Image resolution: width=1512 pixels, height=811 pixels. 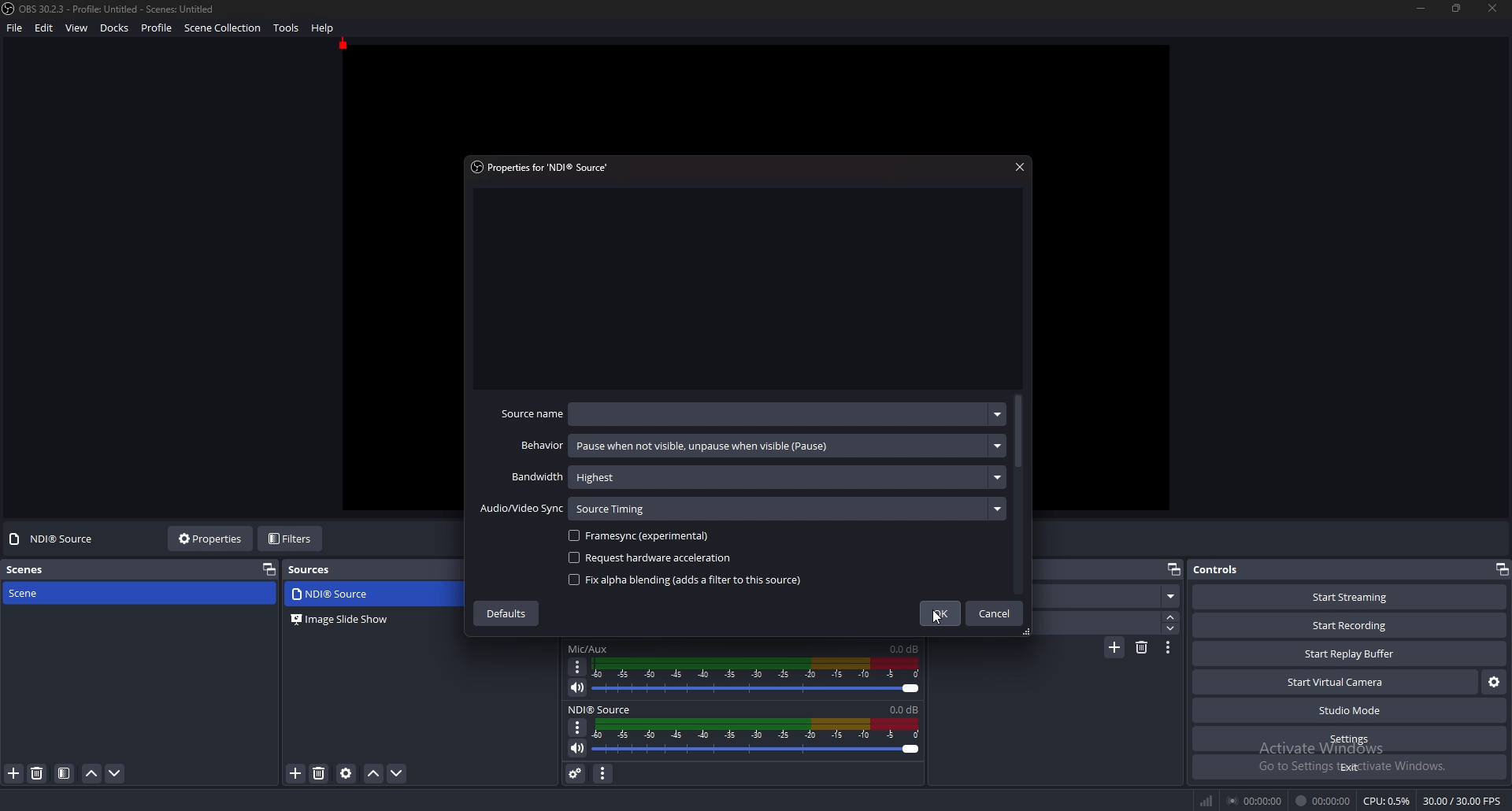 What do you see at coordinates (1115, 647) in the screenshot?
I see `add transition` at bounding box center [1115, 647].